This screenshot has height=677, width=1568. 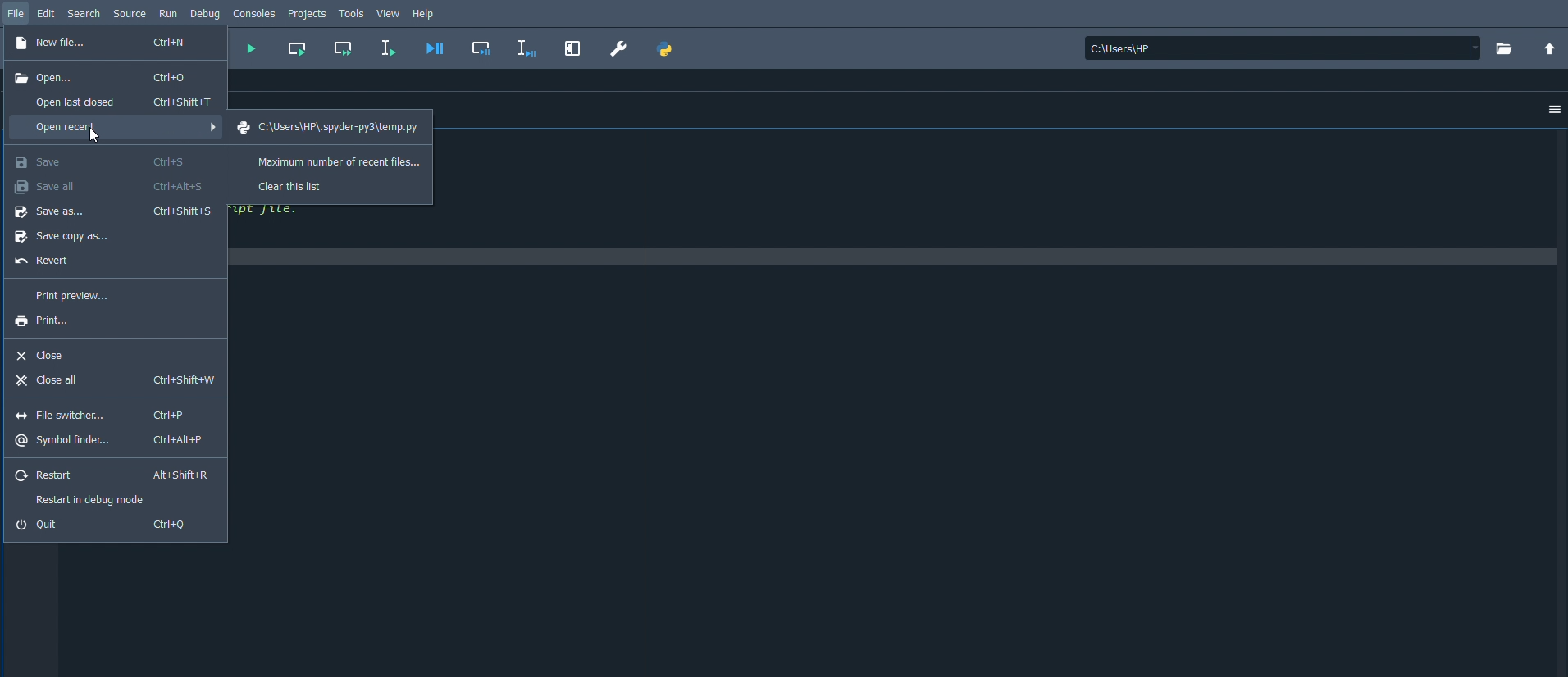 What do you see at coordinates (107, 525) in the screenshot?
I see `Quit` at bounding box center [107, 525].